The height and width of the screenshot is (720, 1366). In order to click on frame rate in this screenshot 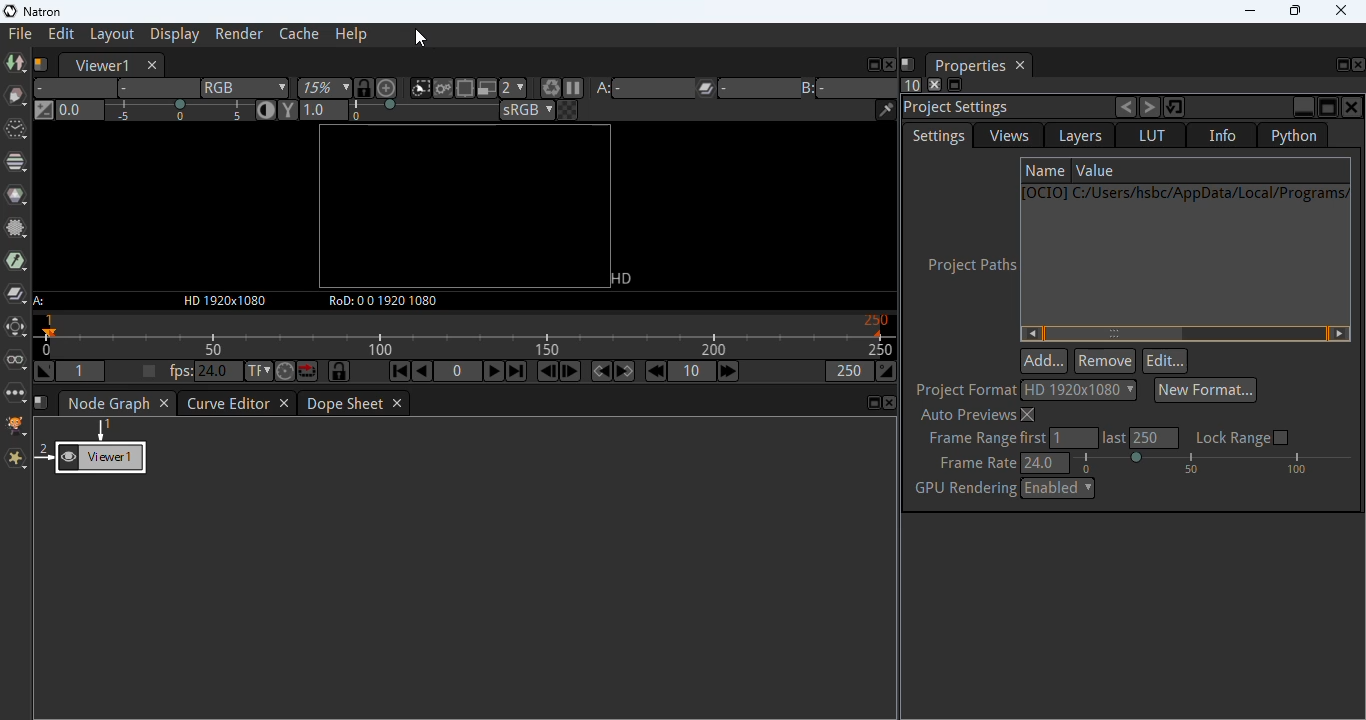, I will do `click(975, 463)`.